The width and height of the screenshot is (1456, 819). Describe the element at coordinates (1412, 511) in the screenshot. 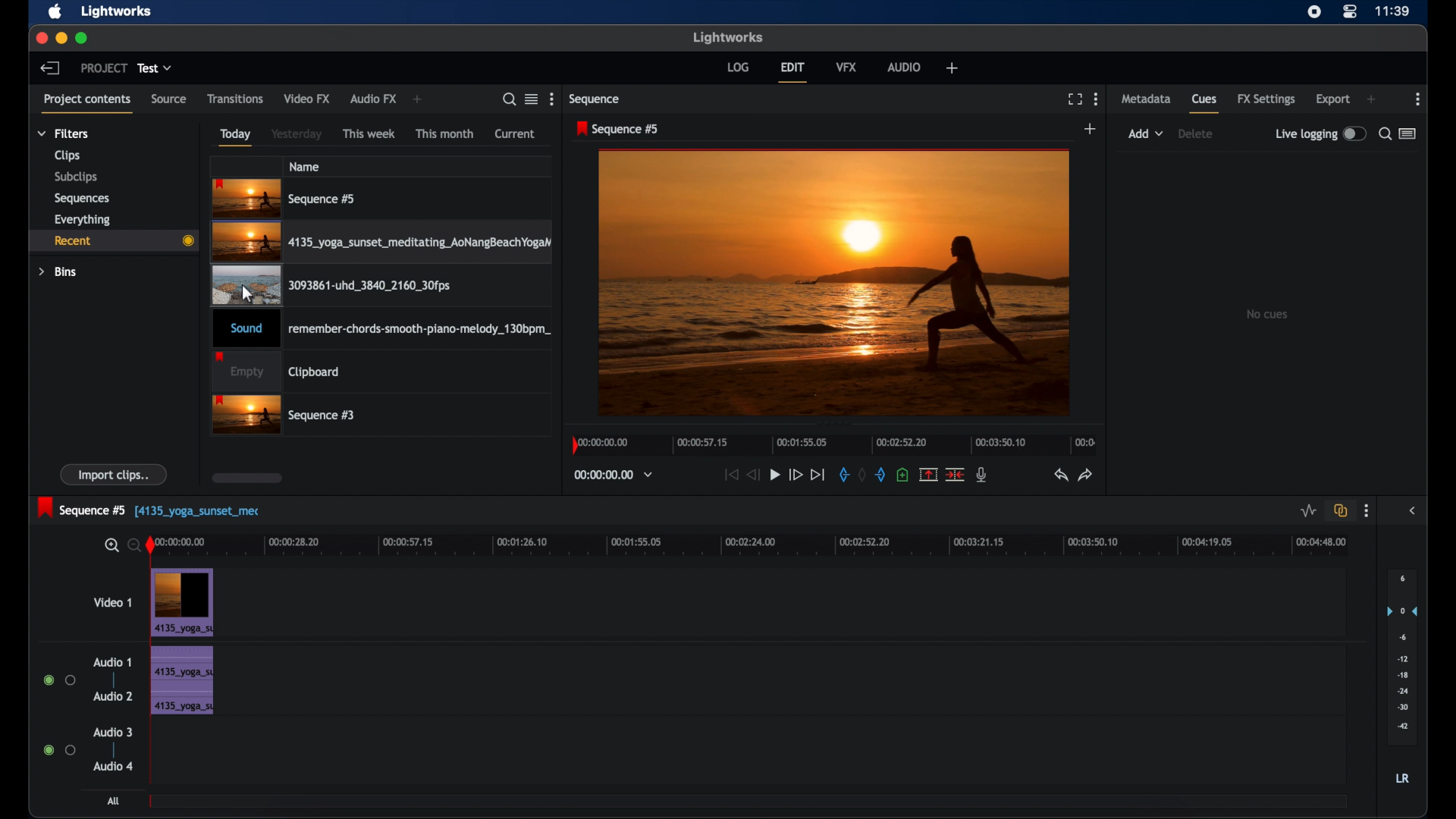

I see `sidebar` at that location.